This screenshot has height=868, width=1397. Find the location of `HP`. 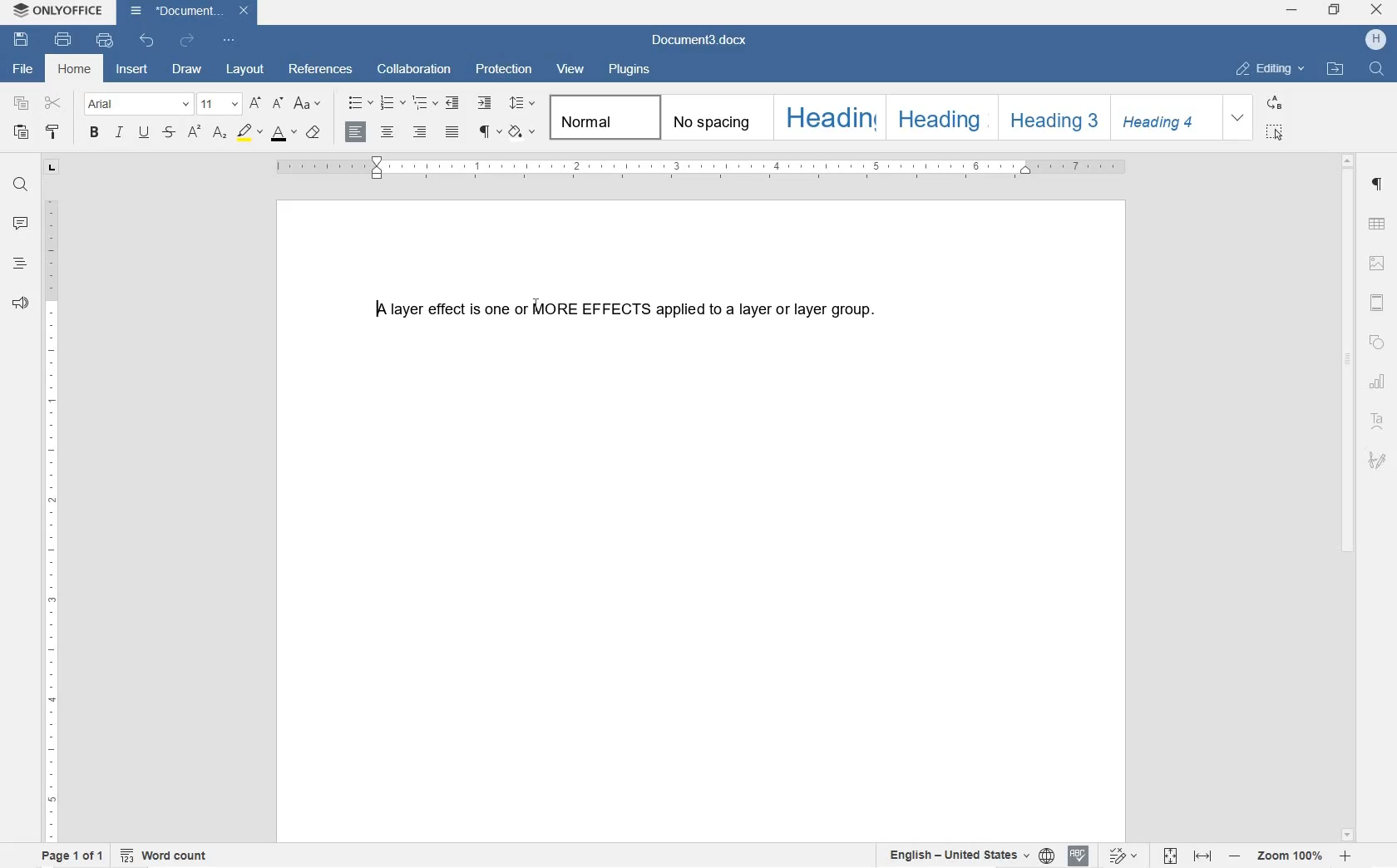

HP is located at coordinates (1378, 40).